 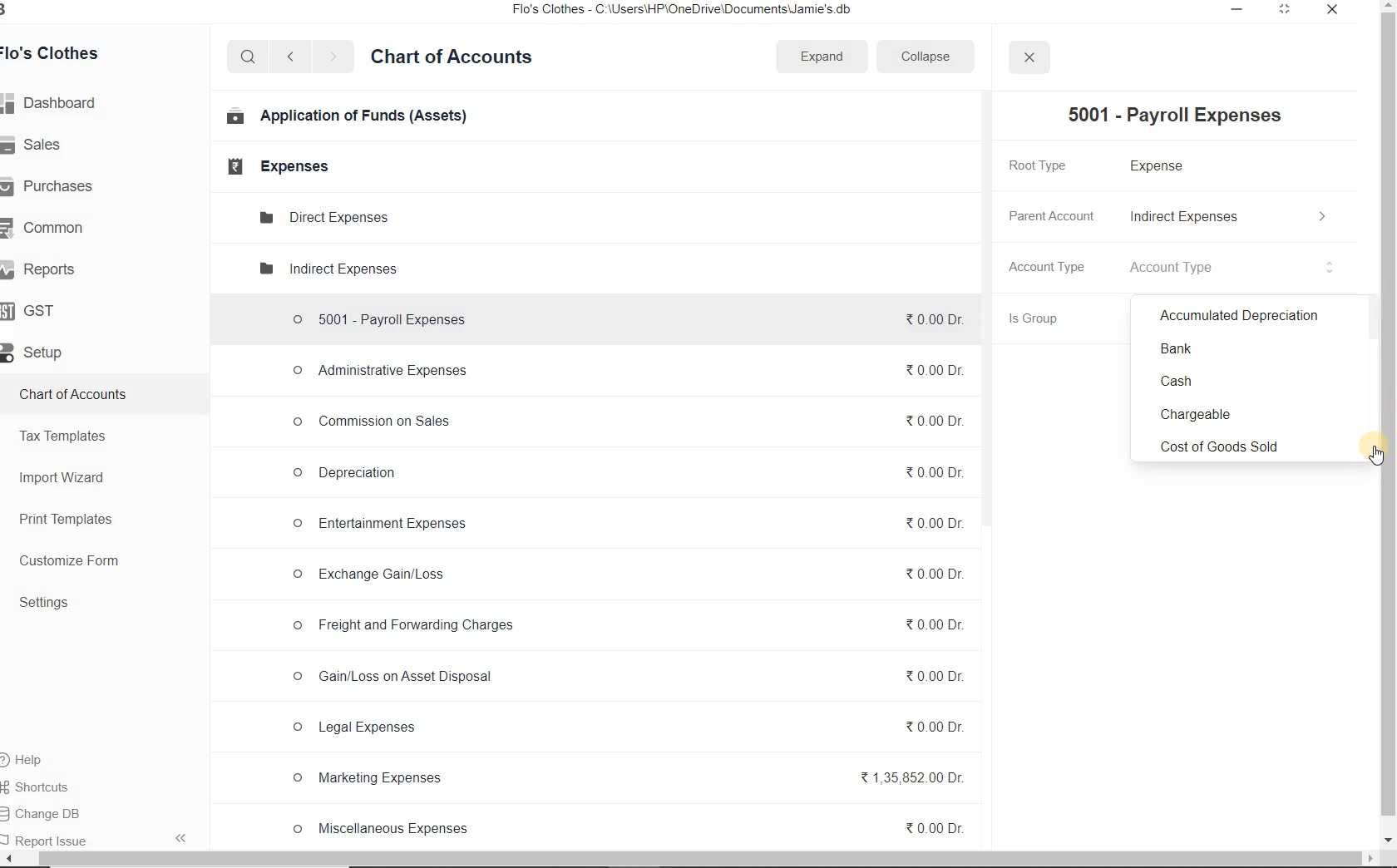 I want to click on Expand, so click(x=823, y=57).